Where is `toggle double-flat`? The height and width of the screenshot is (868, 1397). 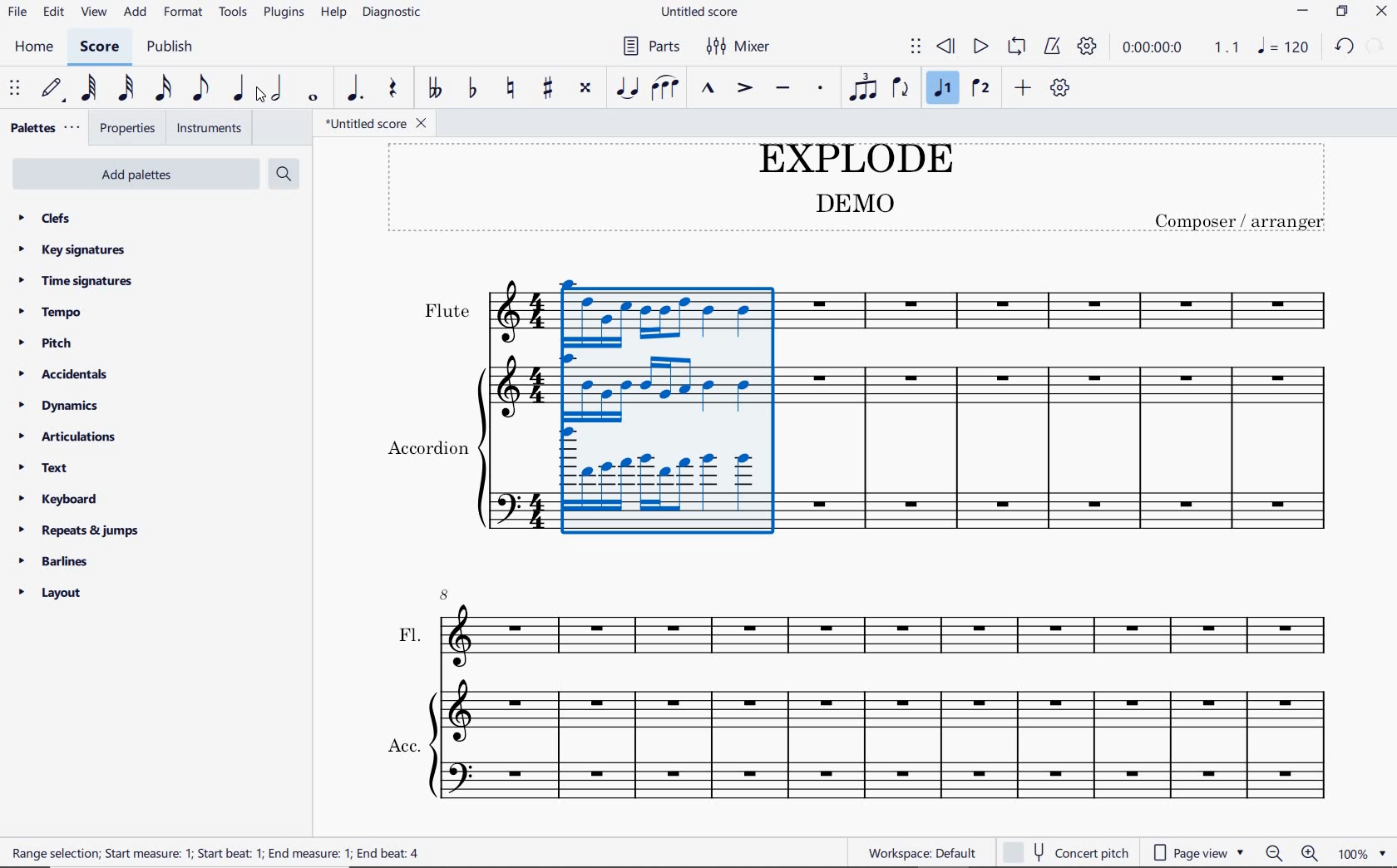 toggle double-flat is located at coordinates (432, 88).